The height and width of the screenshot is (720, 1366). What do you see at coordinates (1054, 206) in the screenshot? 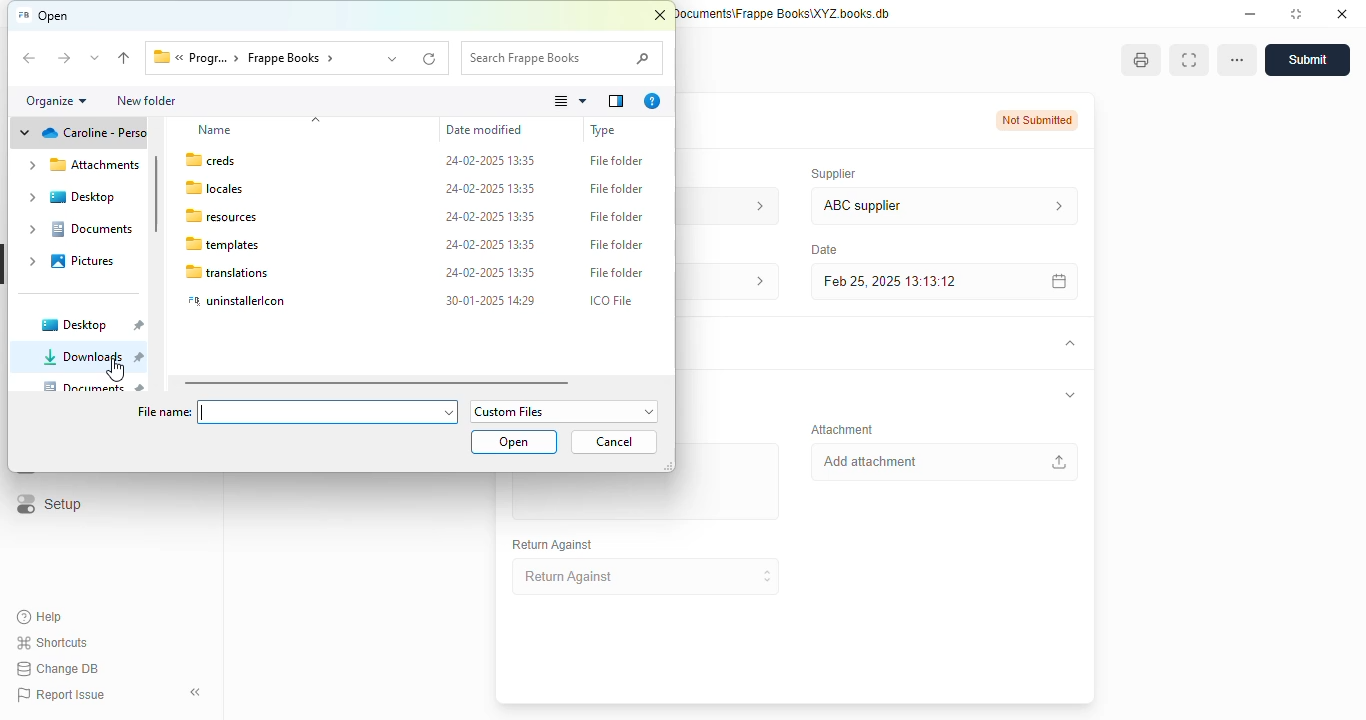
I see `supplier information` at bounding box center [1054, 206].